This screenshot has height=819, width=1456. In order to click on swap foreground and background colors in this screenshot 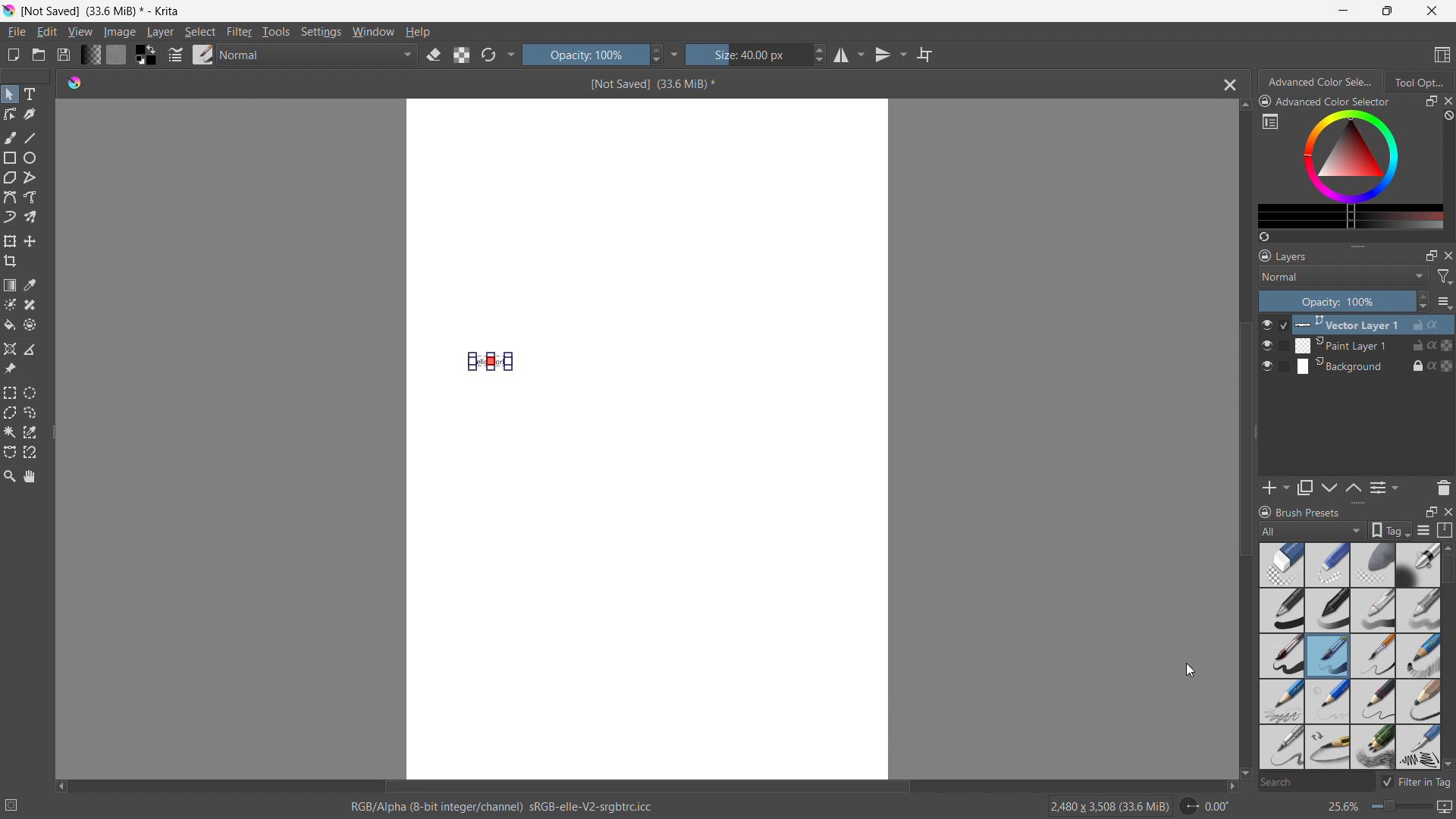, I will do `click(146, 55)`.